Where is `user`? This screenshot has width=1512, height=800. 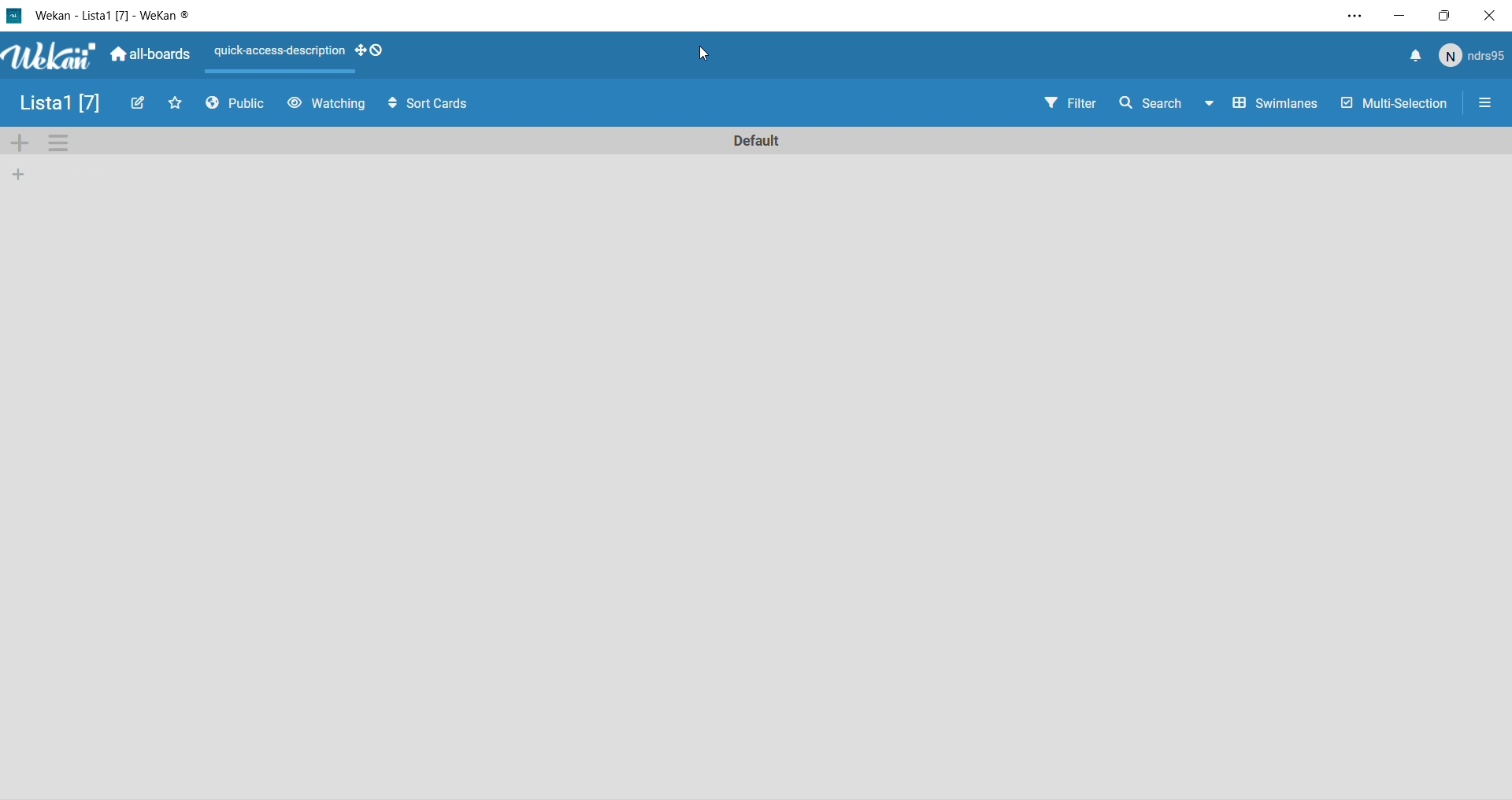
user is located at coordinates (1474, 58).